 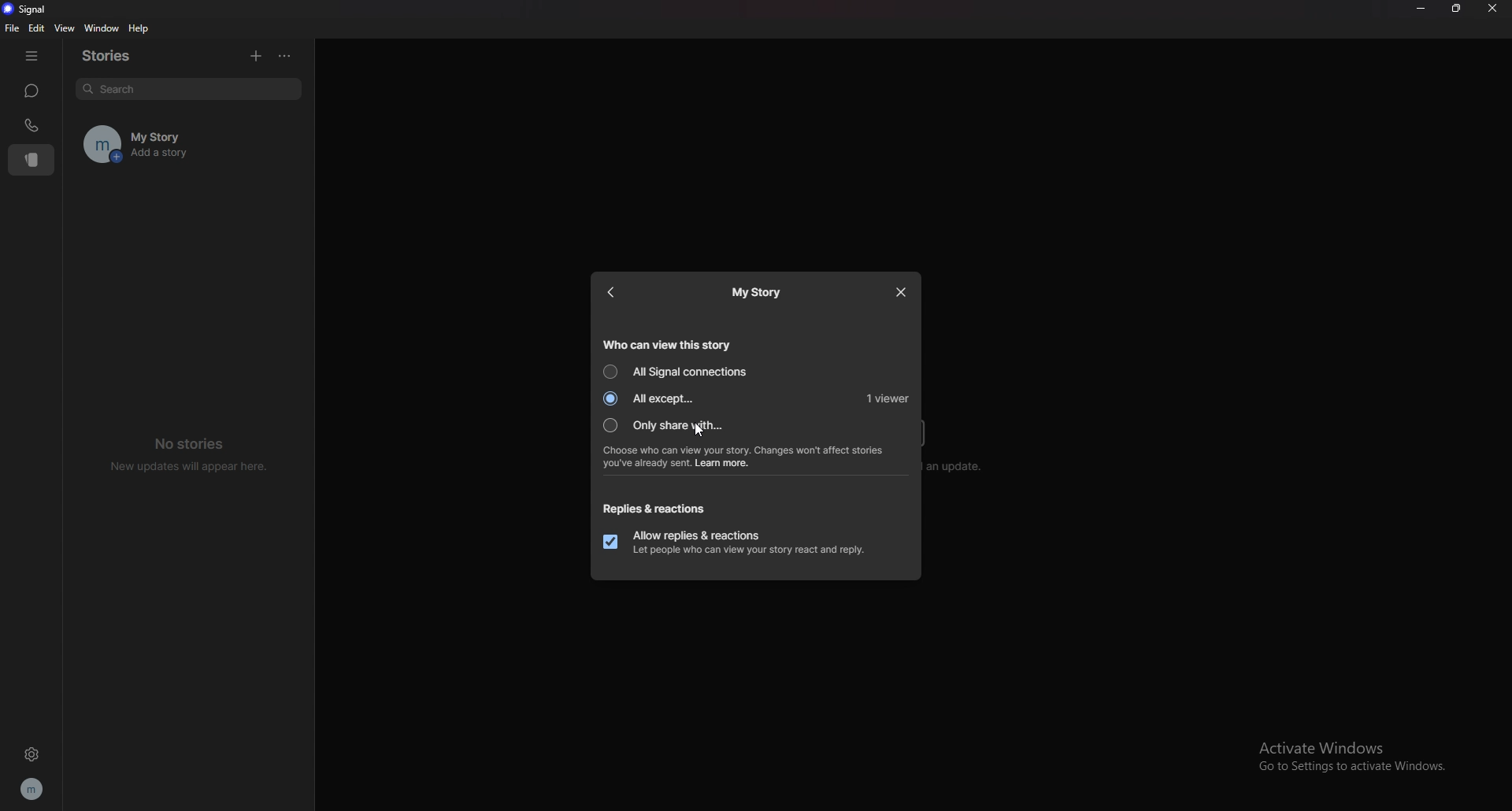 What do you see at coordinates (673, 425) in the screenshot?
I see `only share with` at bounding box center [673, 425].